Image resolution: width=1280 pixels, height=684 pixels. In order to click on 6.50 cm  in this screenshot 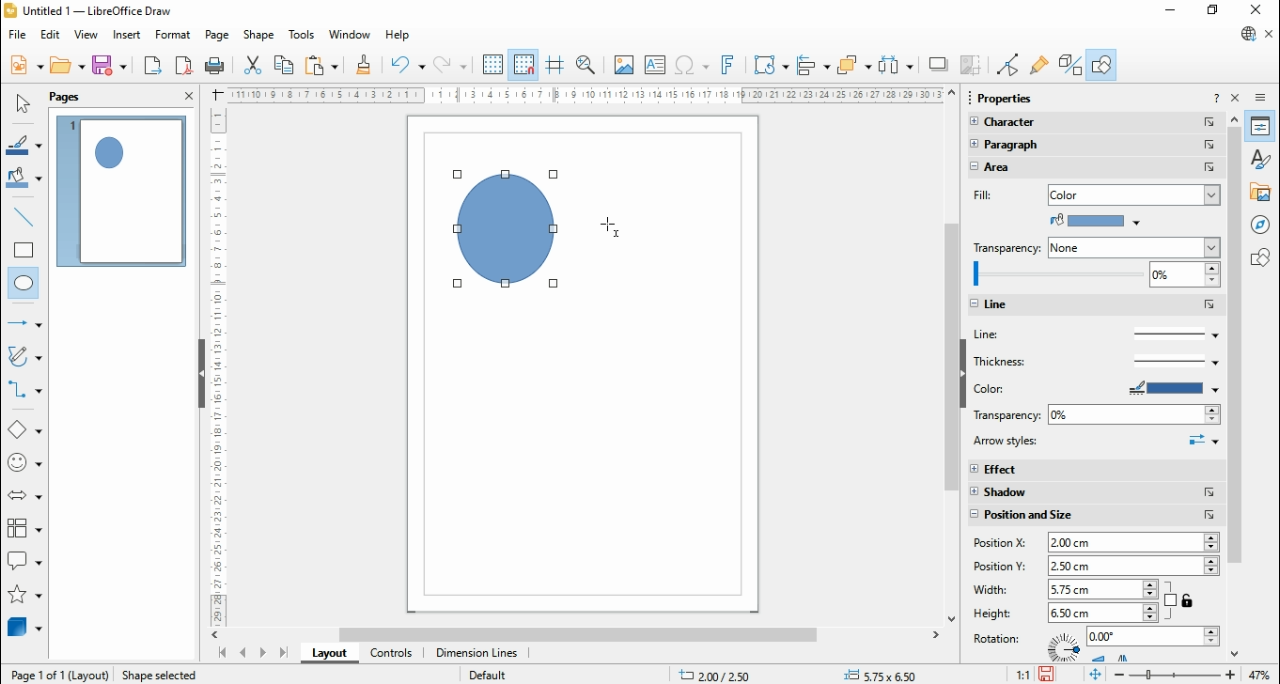, I will do `click(1101, 613)`.